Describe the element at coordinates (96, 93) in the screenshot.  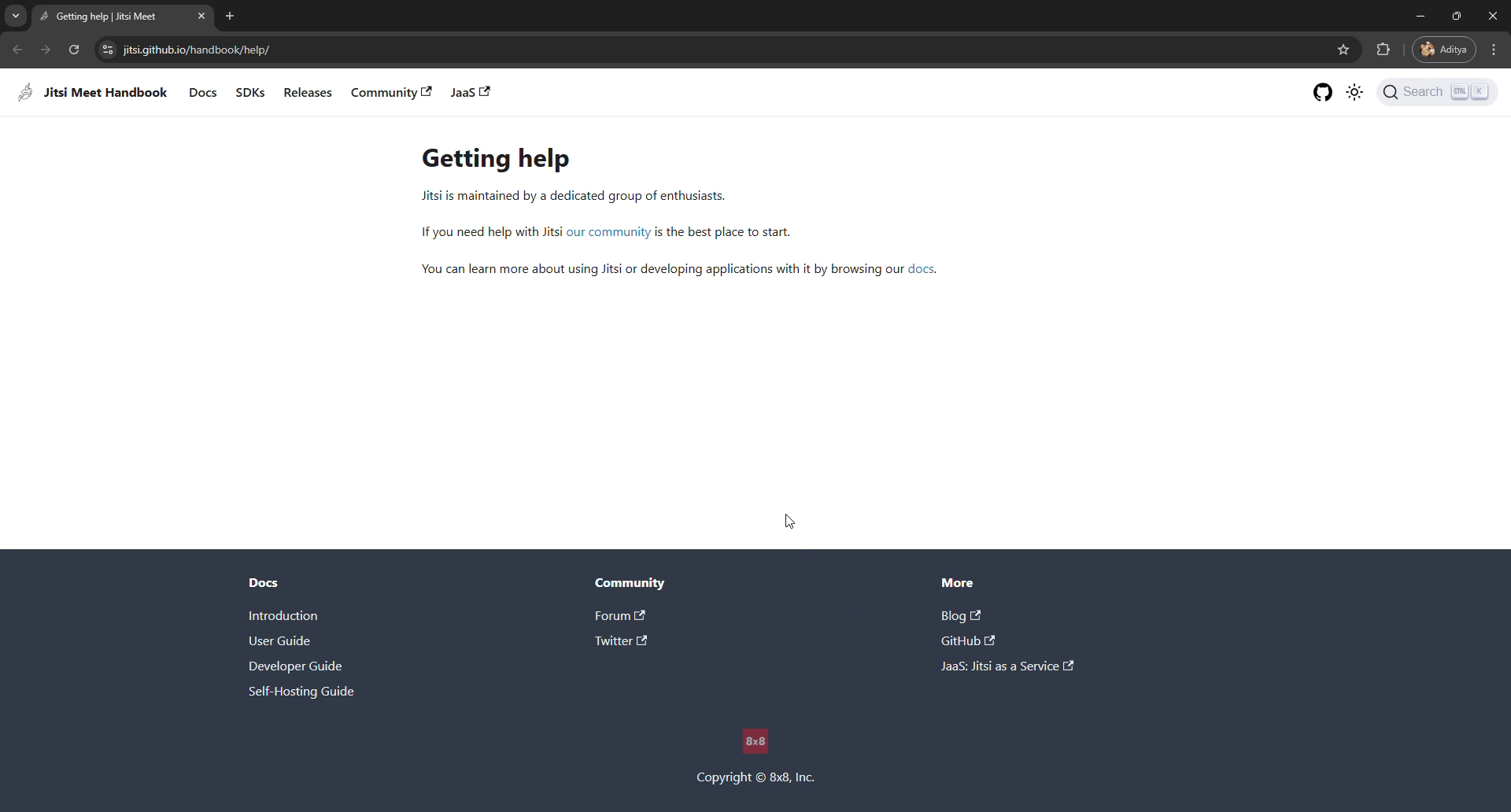
I see `jitsi meet handbook` at that location.